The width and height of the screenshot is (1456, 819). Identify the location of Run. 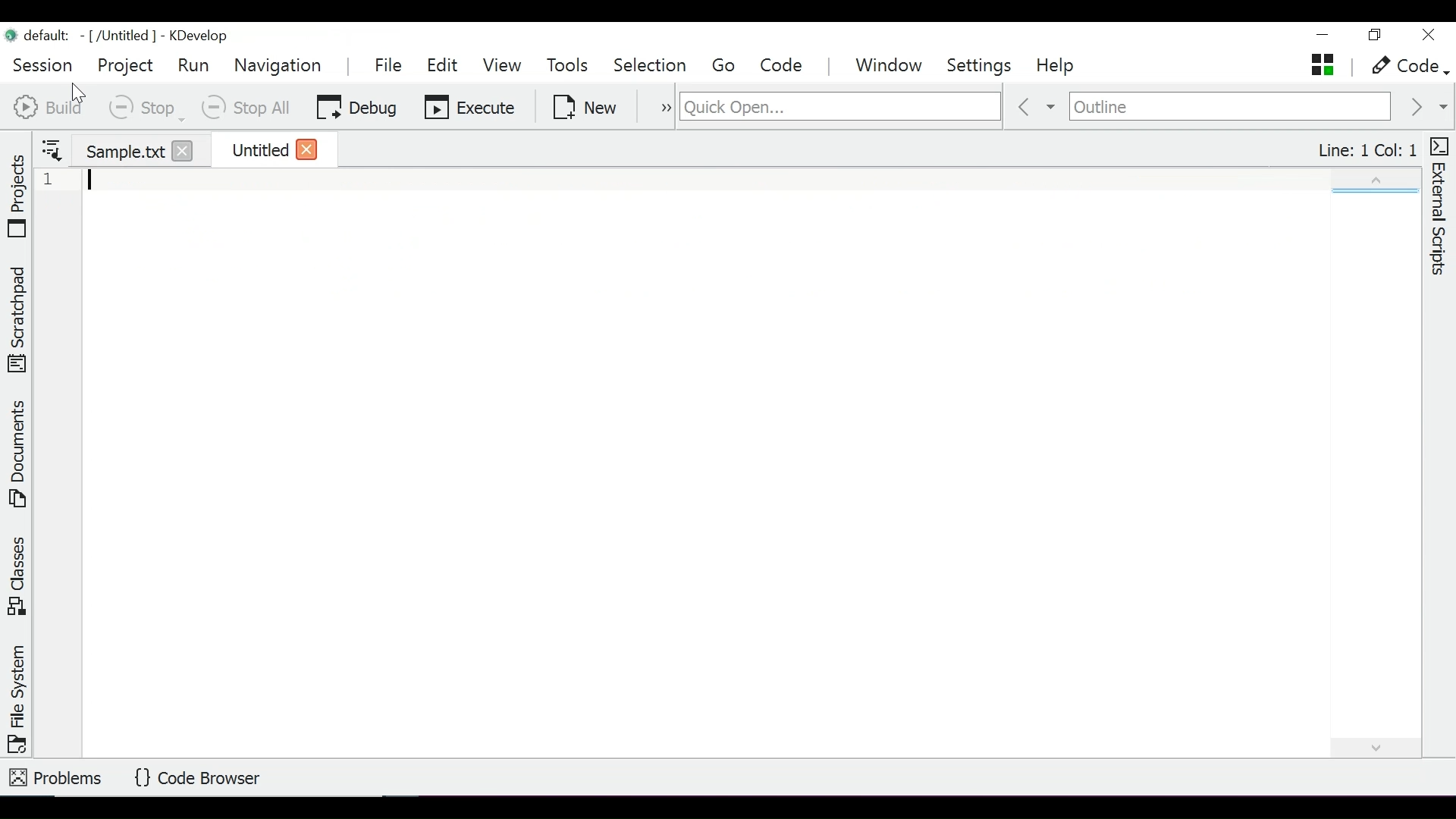
(193, 64).